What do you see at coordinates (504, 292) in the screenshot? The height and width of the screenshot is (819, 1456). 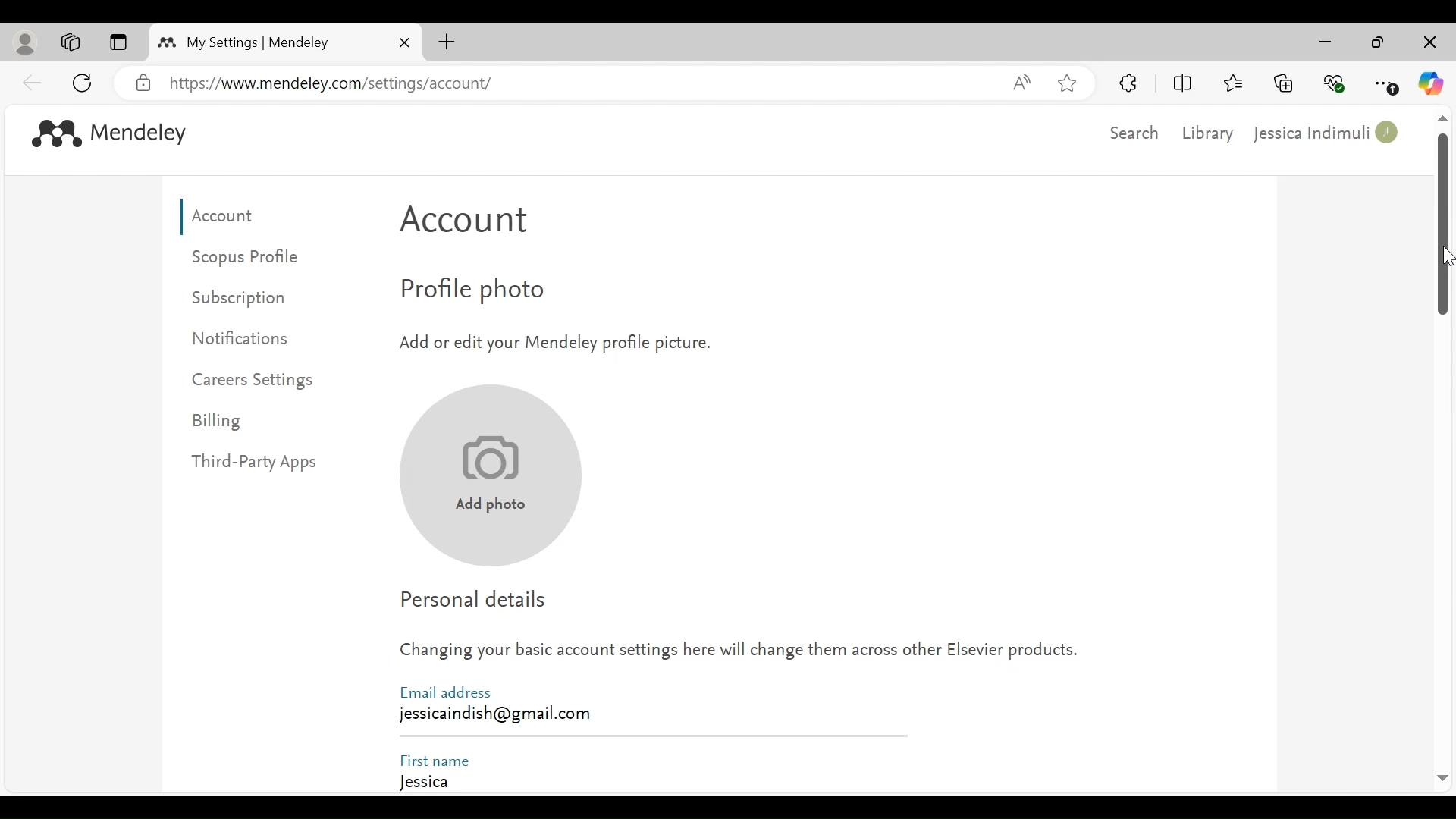 I see `Profile Photo` at bounding box center [504, 292].